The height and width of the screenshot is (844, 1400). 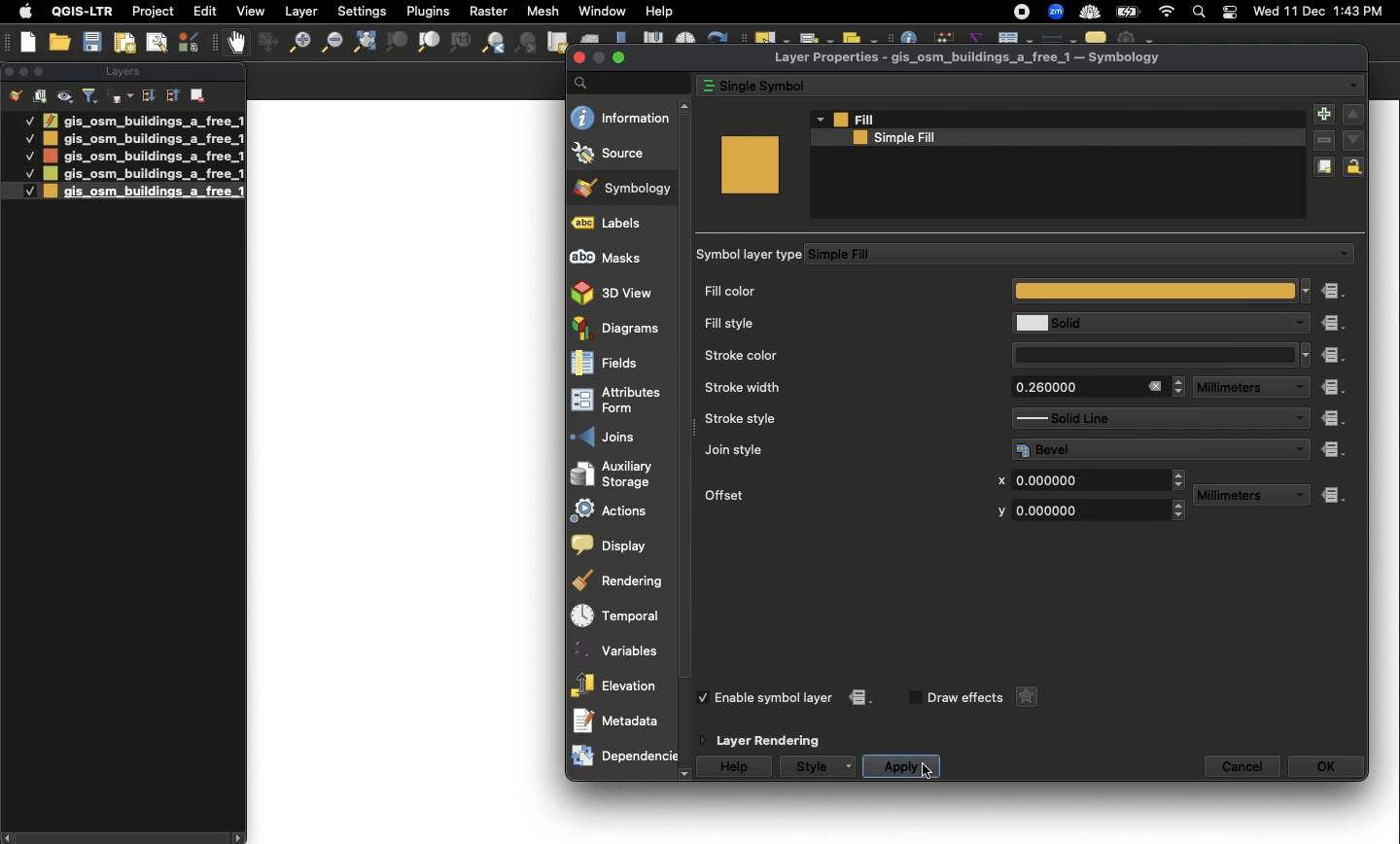 What do you see at coordinates (542, 11) in the screenshot?
I see `Mesh` at bounding box center [542, 11].